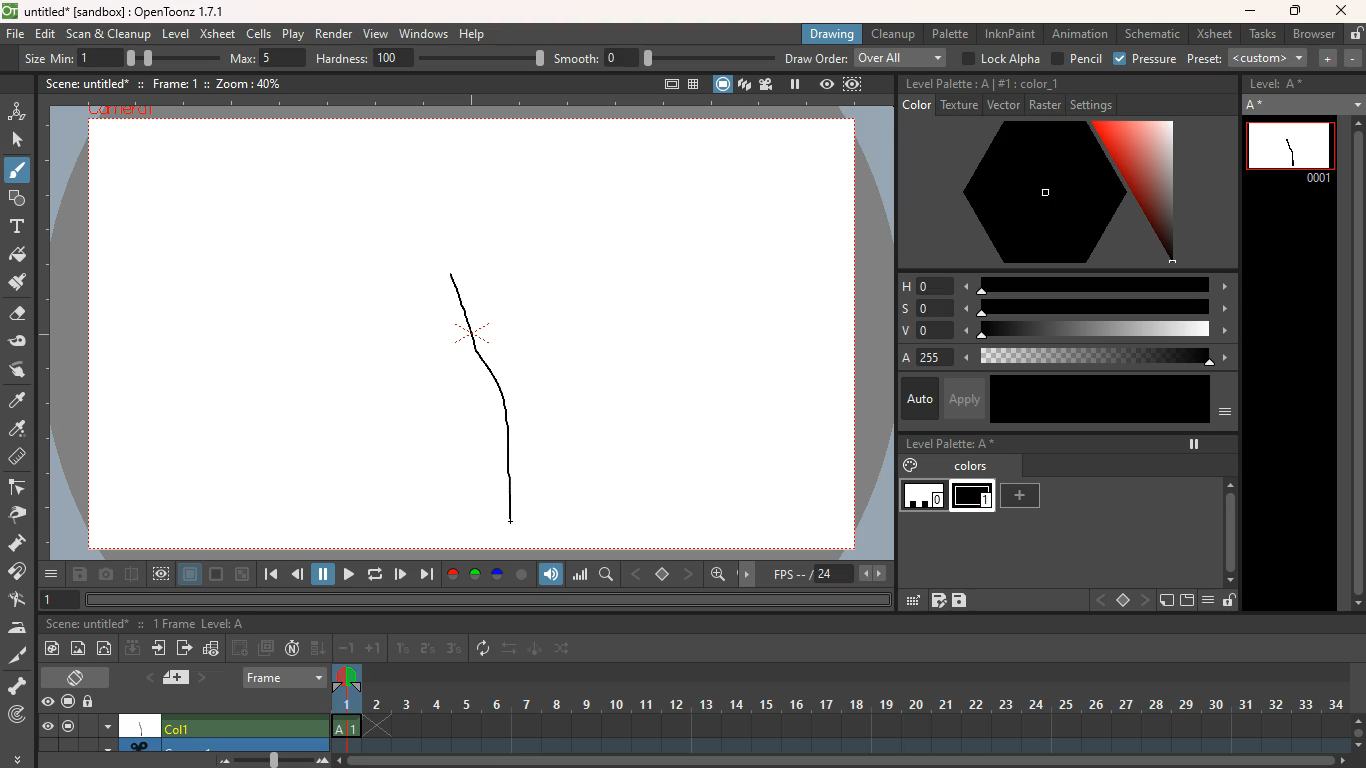 The height and width of the screenshot is (768, 1366). What do you see at coordinates (106, 746) in the screenshot?
I see `down arrow` at bounding box center [106, 746].